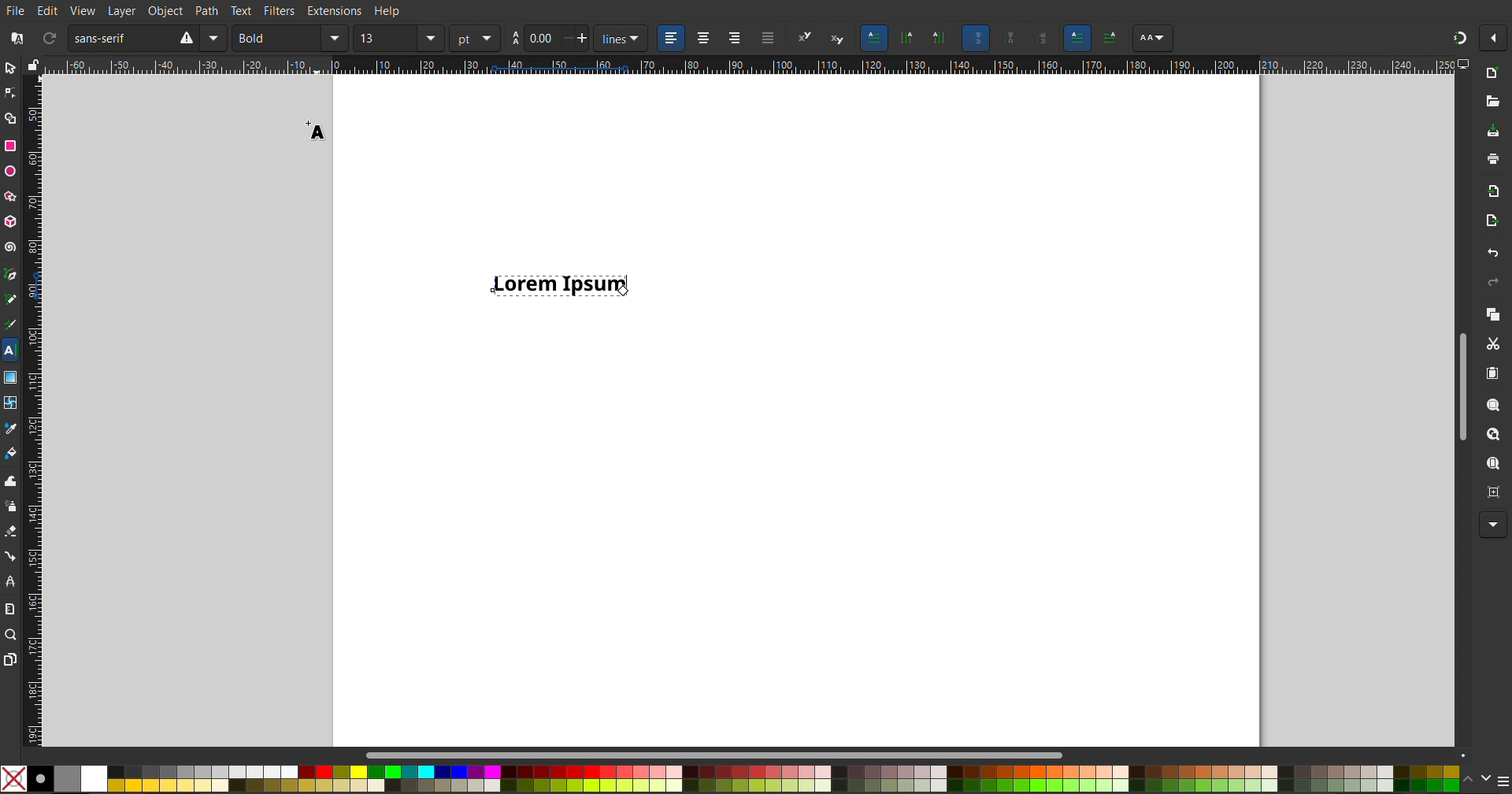  What do you see at coordinates (50, 9) in the screenshot?
I see `Edit` at bounding box center [50, 9].